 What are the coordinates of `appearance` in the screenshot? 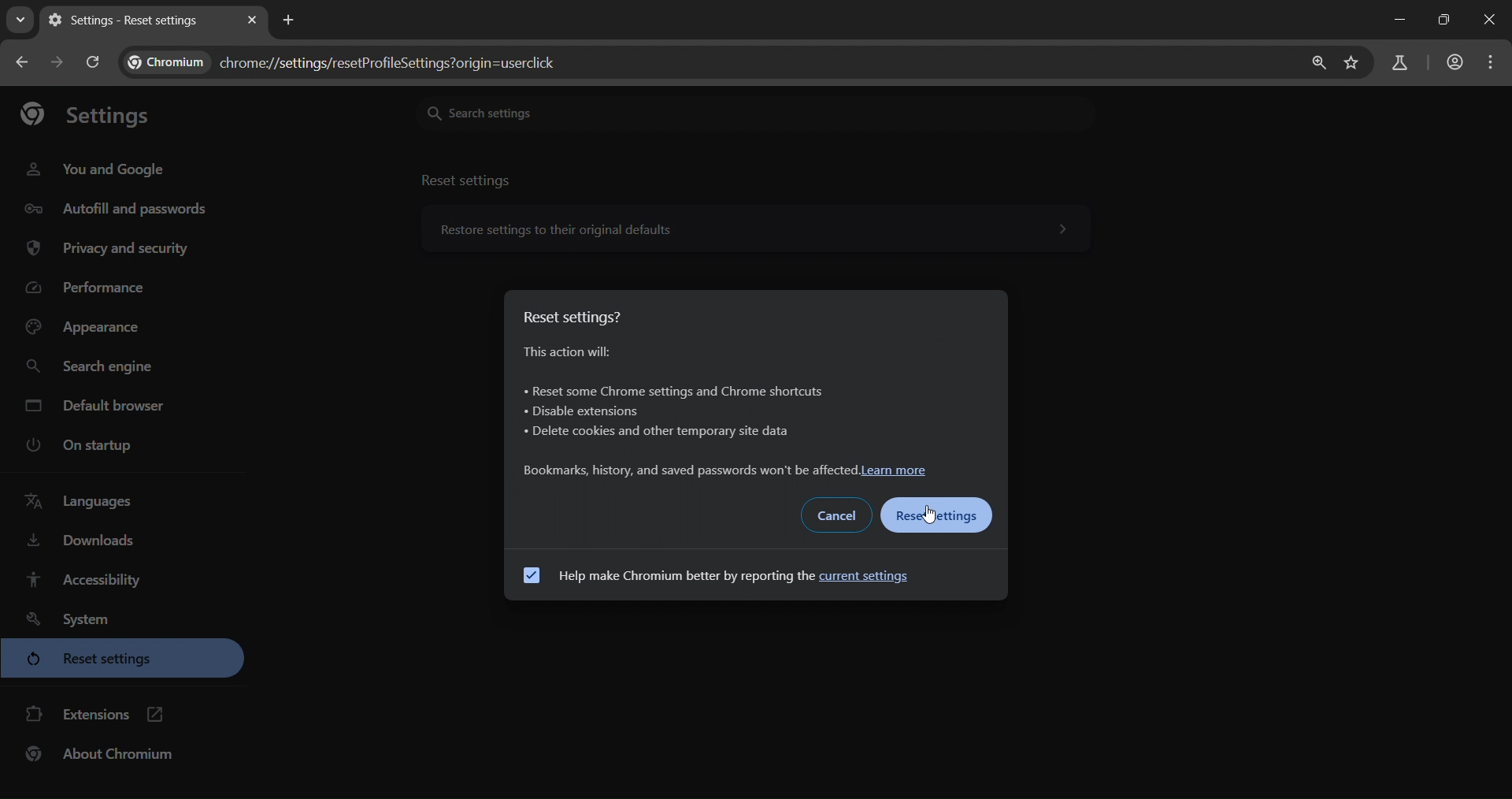 It's located at (85, 326).